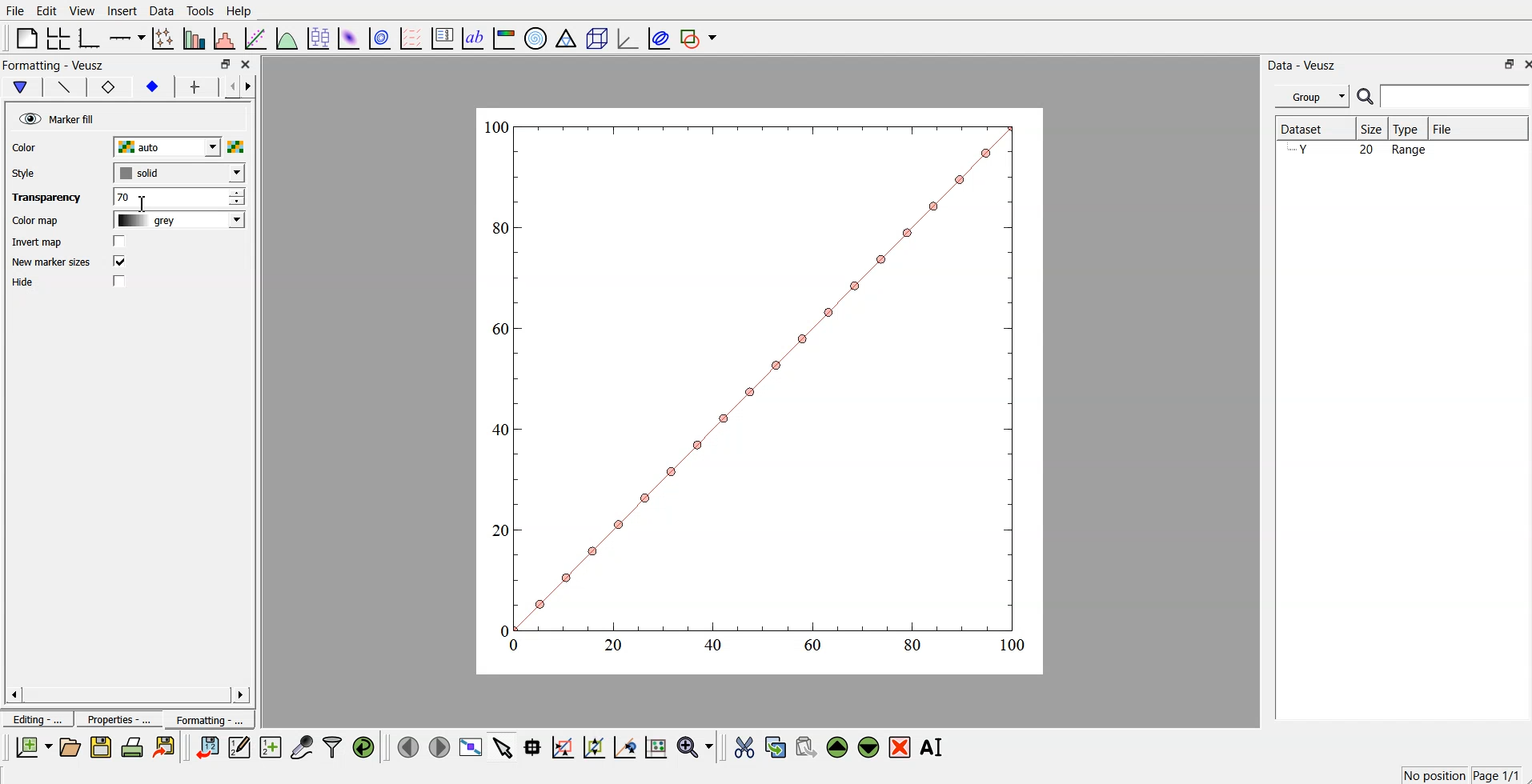 Image resolution: width=1532 pixels, height=784 pixels. I want to click on Hide, so click(27, 283).